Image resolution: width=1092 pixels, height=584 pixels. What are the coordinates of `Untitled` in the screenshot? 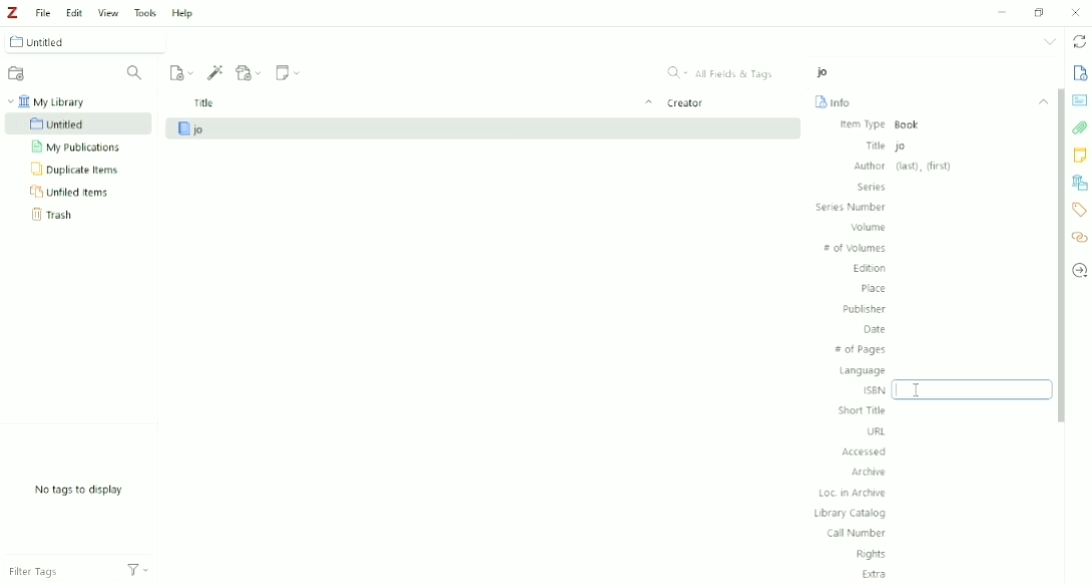 It's located at (79, 124).